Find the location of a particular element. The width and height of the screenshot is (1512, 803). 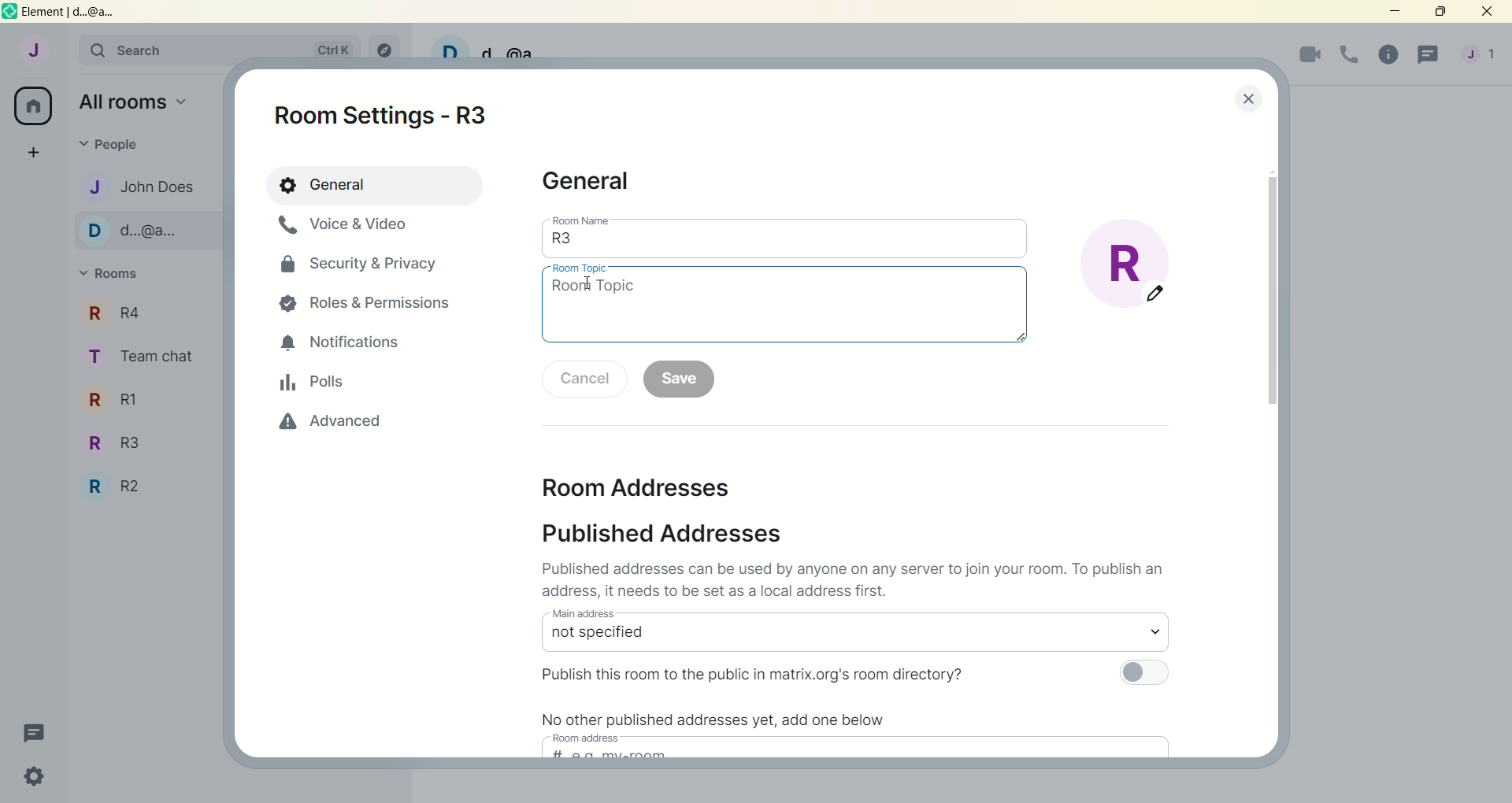

vertical scroll bar is located at coordinates (1269, 292).